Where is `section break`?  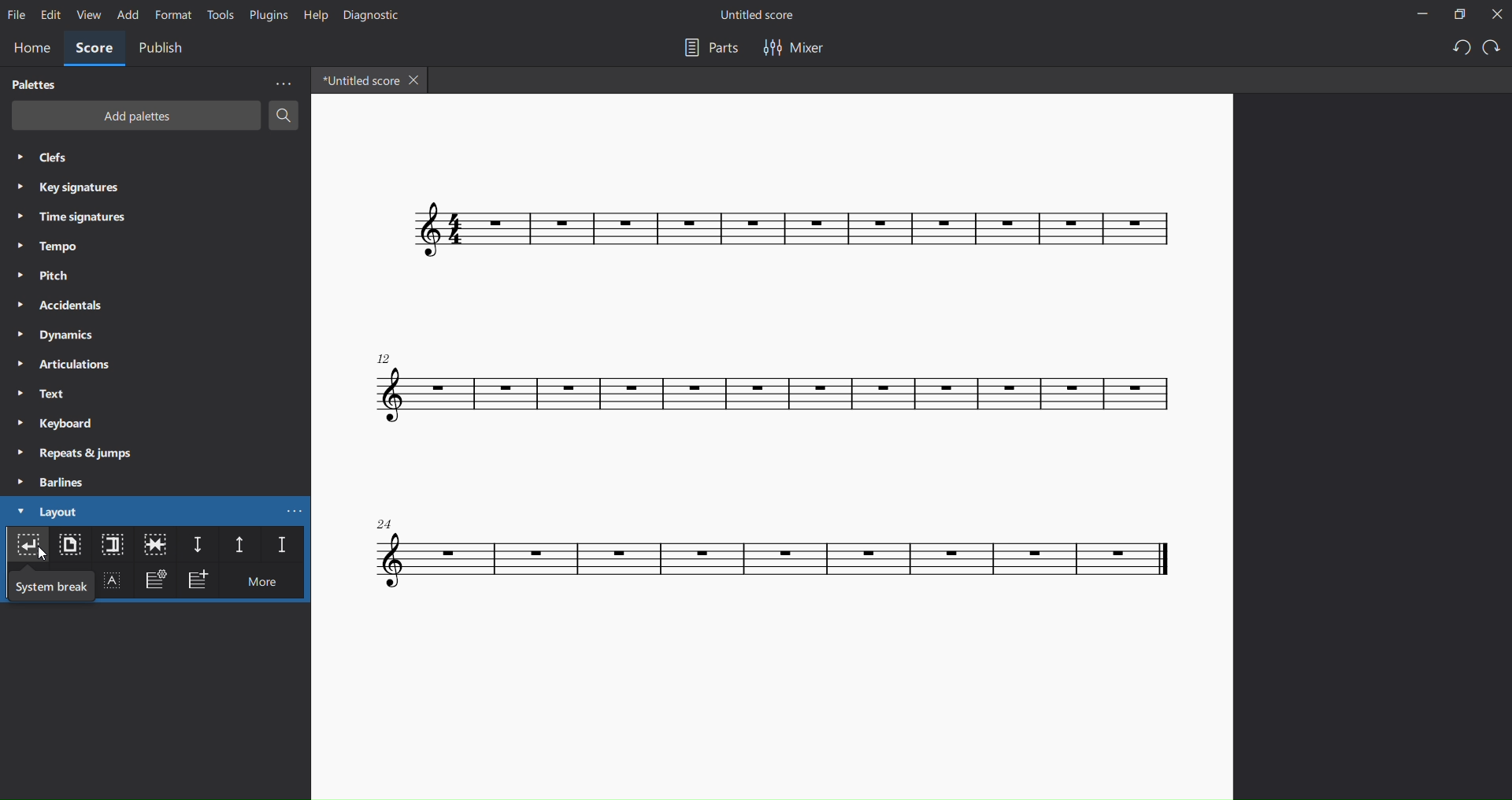
section break is located at coordinates (110, 546).